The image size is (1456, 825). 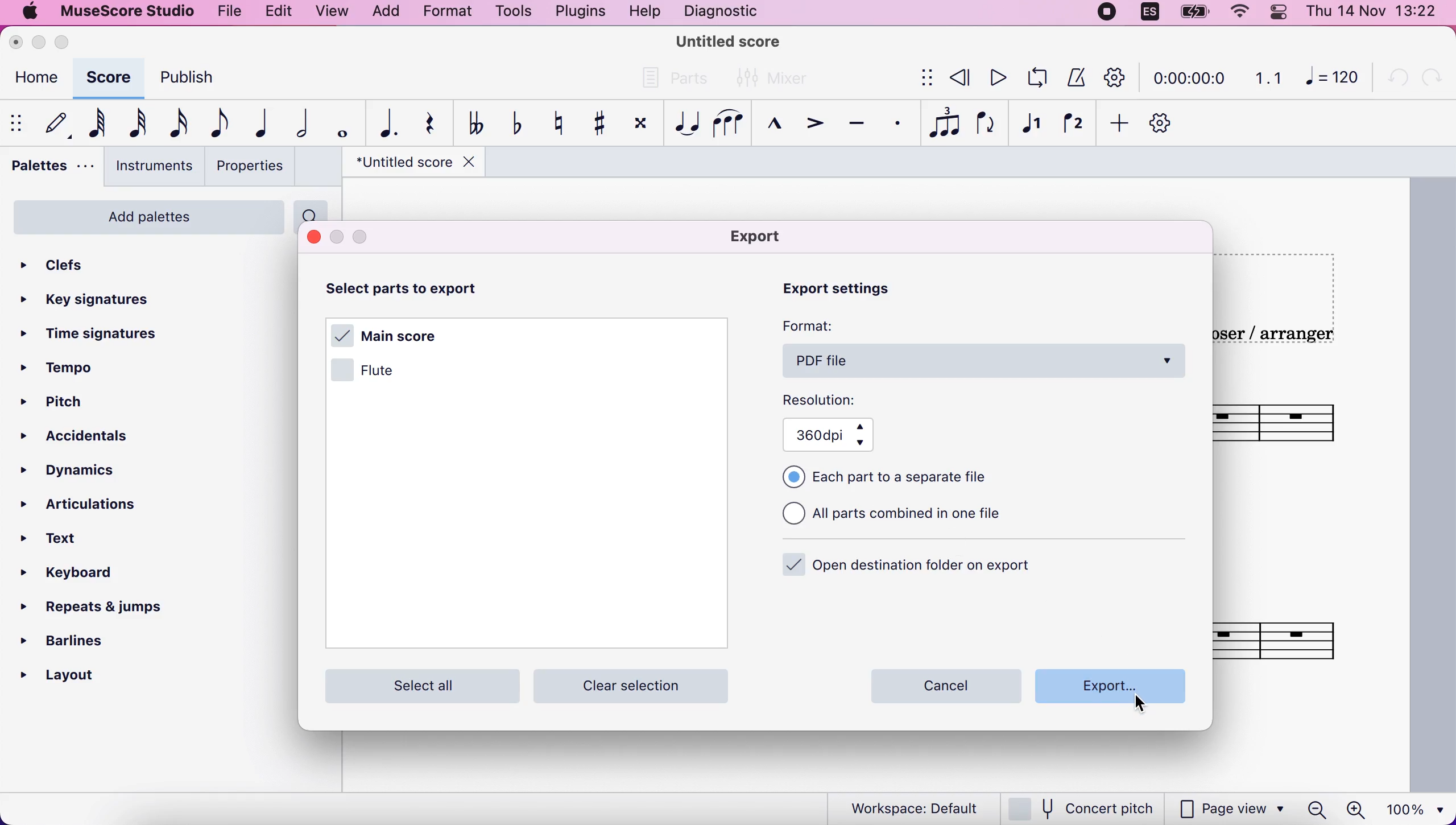 What do you see at coordinates (391, 14) in the screenshot?
I see `add` at bounding box center [391, 14].